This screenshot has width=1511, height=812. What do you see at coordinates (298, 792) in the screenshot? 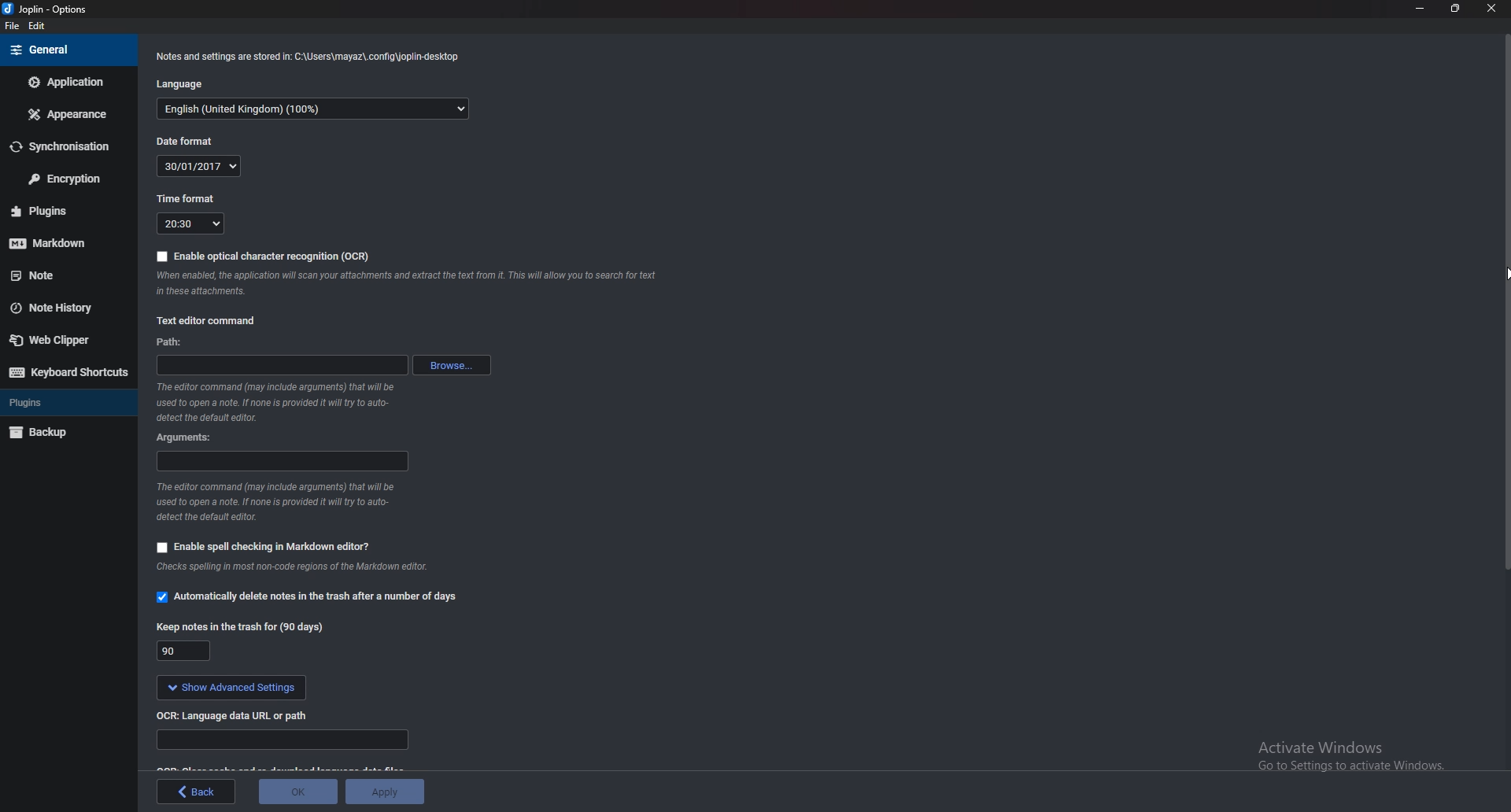
I see `OK` at bounding box center [298, 792].